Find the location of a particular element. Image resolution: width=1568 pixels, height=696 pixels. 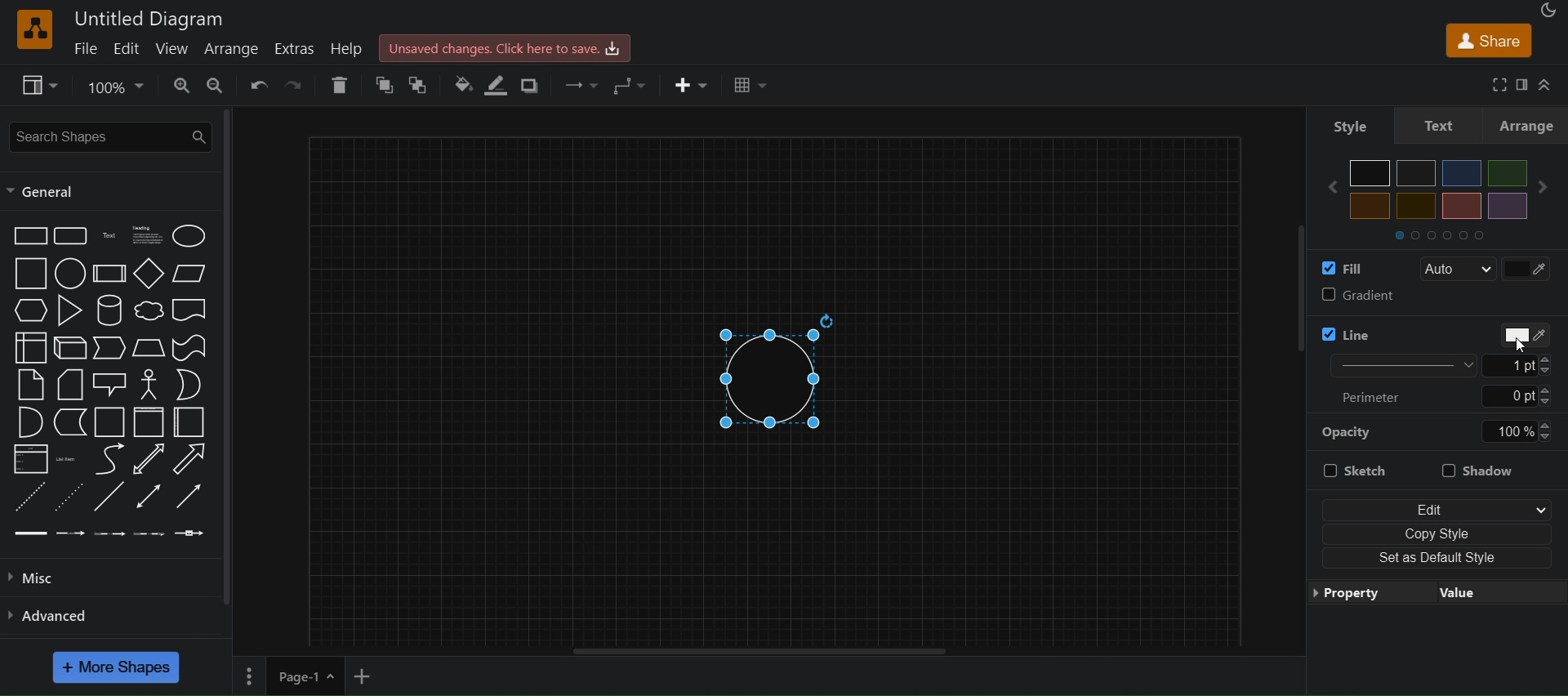

scroll is located at coordinates (1285, 308).